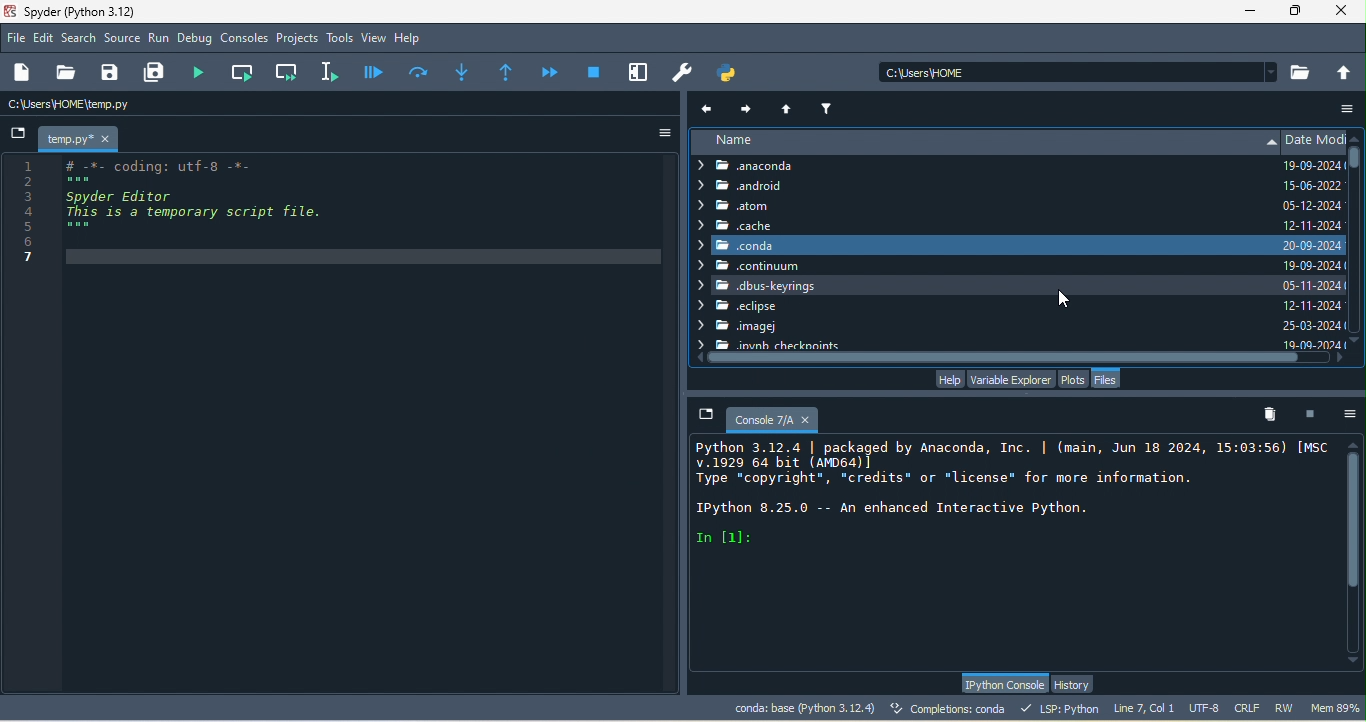  I want to click on vertical scroll bar, so click(1355, 553).